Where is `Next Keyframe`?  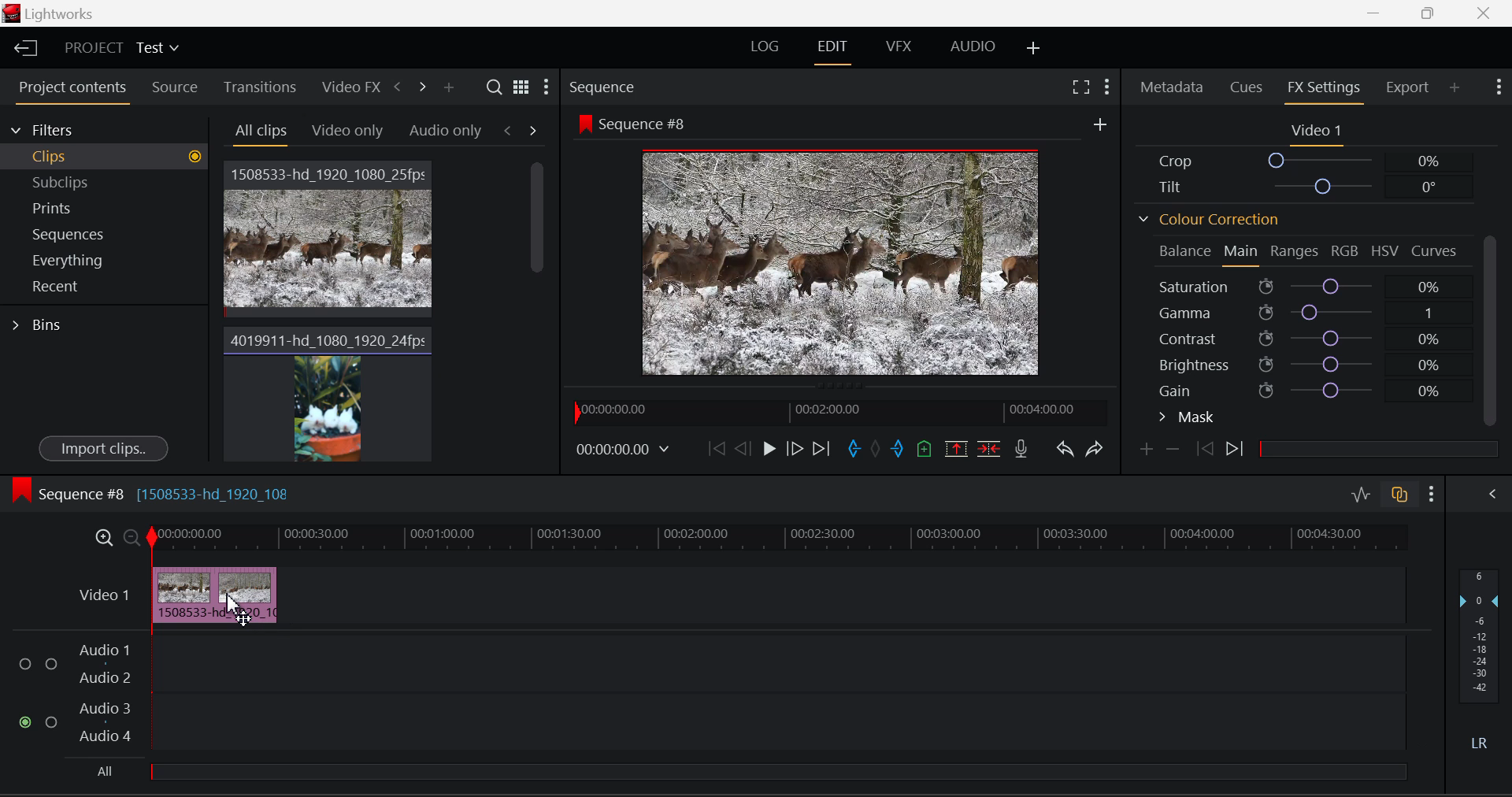
Next Keyframe is located at coordinates (1236, 449).